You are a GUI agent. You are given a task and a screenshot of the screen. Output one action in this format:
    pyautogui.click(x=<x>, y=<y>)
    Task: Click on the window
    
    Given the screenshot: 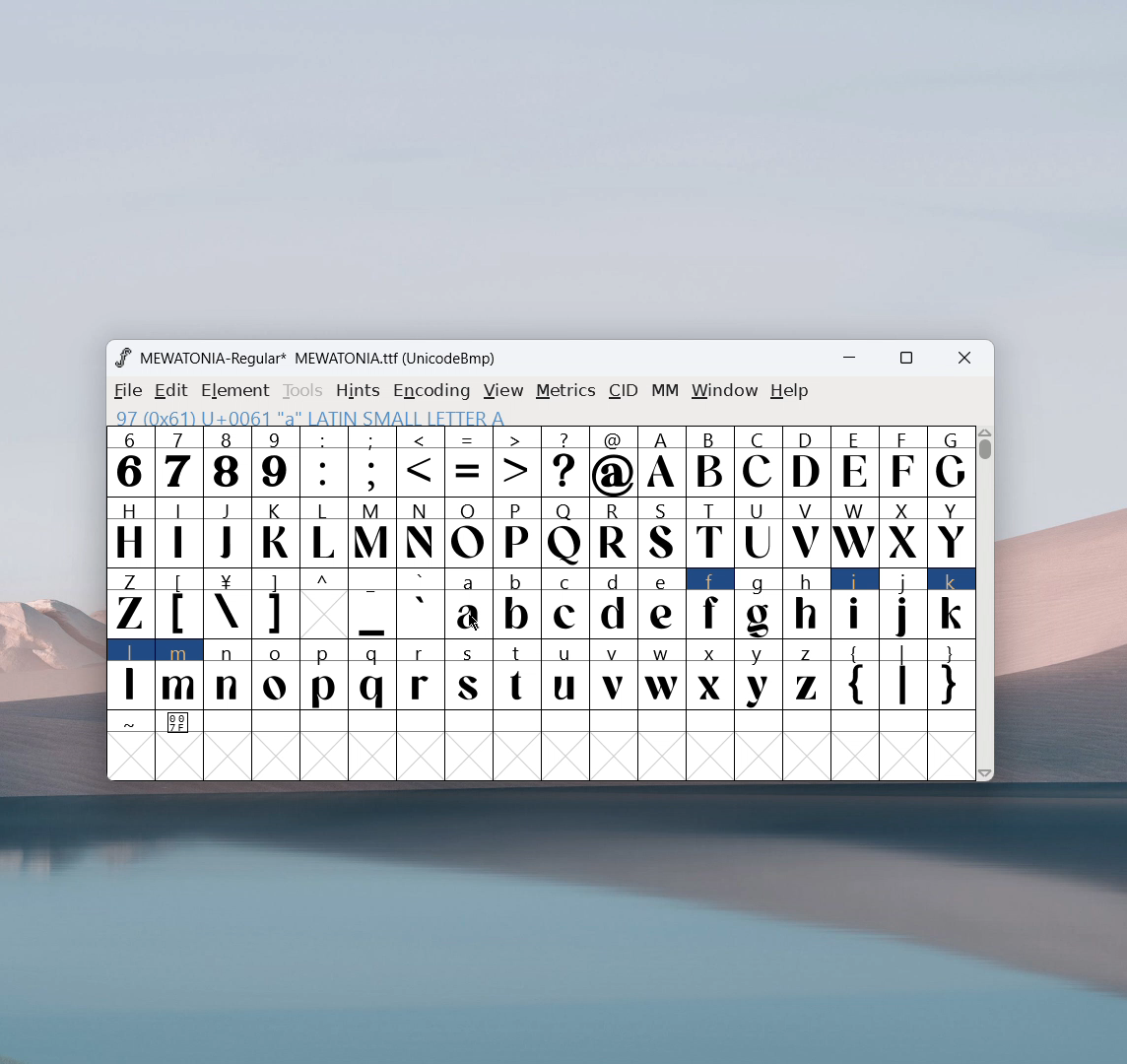 What is the action you would take?
    pyautogui.click(x=725, y=391)
    